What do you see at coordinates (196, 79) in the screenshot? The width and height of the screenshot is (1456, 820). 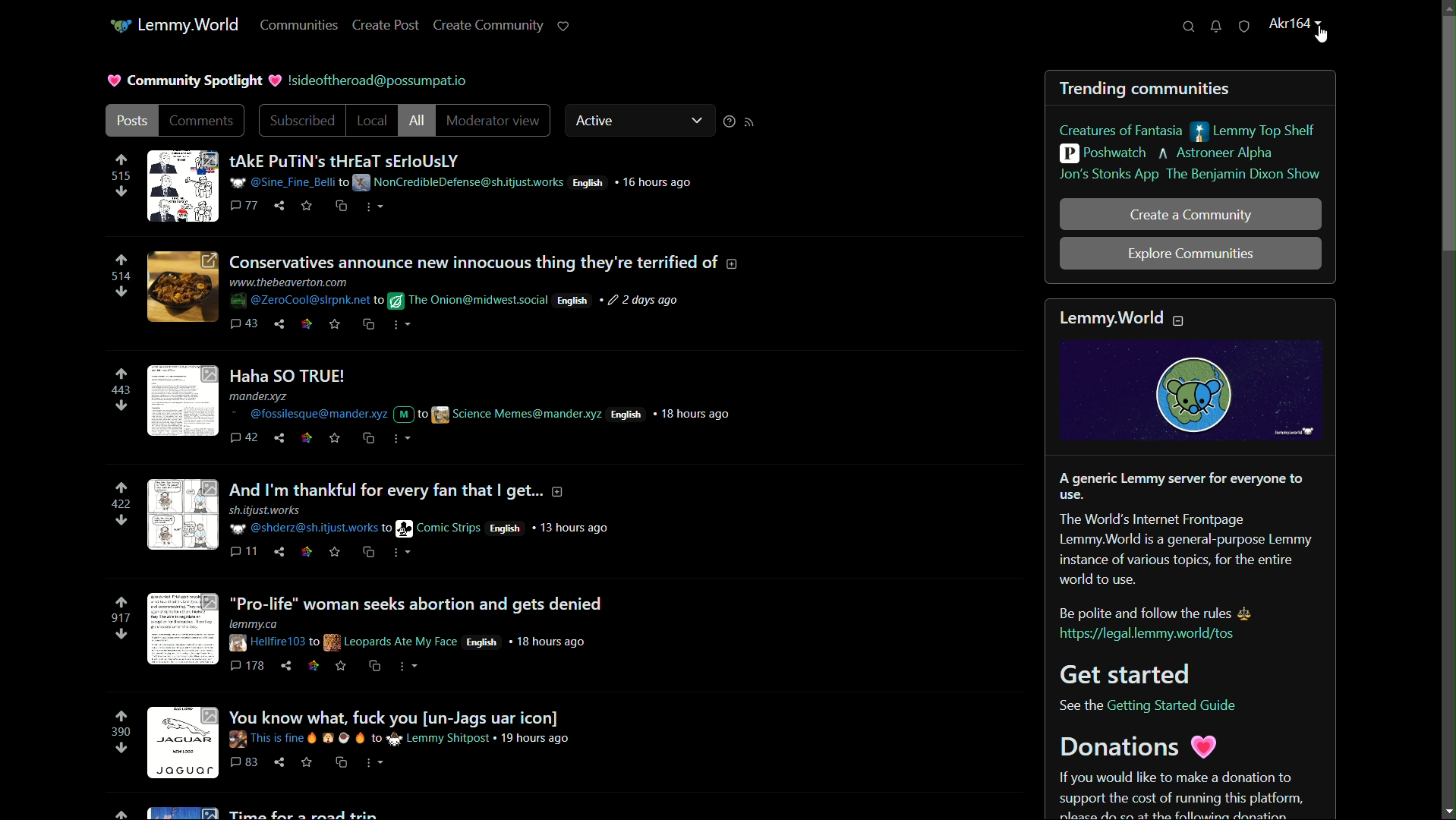 I see `community spotlight` at bounding box center [196, 79].